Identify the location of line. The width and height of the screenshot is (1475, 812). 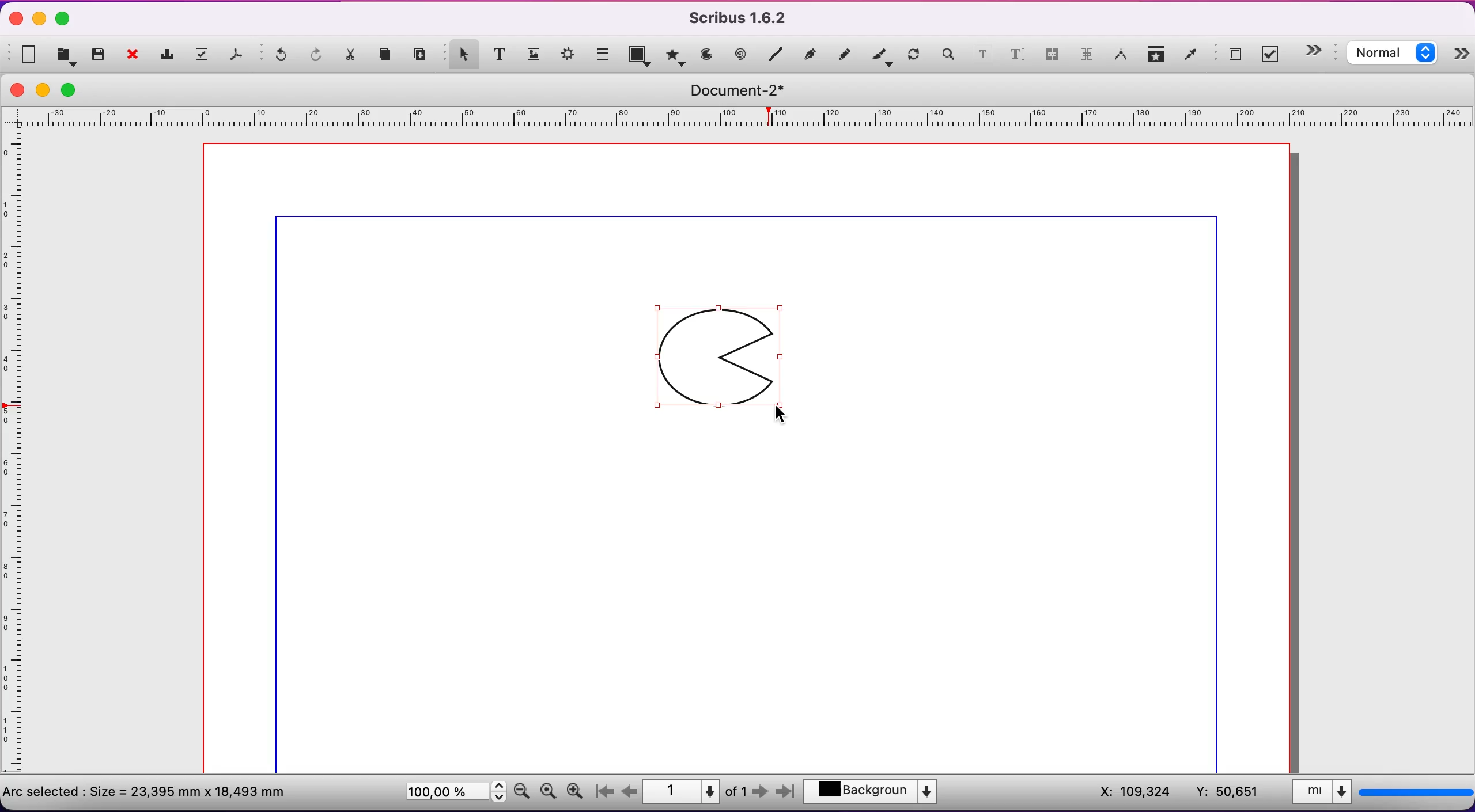
(776, 55).